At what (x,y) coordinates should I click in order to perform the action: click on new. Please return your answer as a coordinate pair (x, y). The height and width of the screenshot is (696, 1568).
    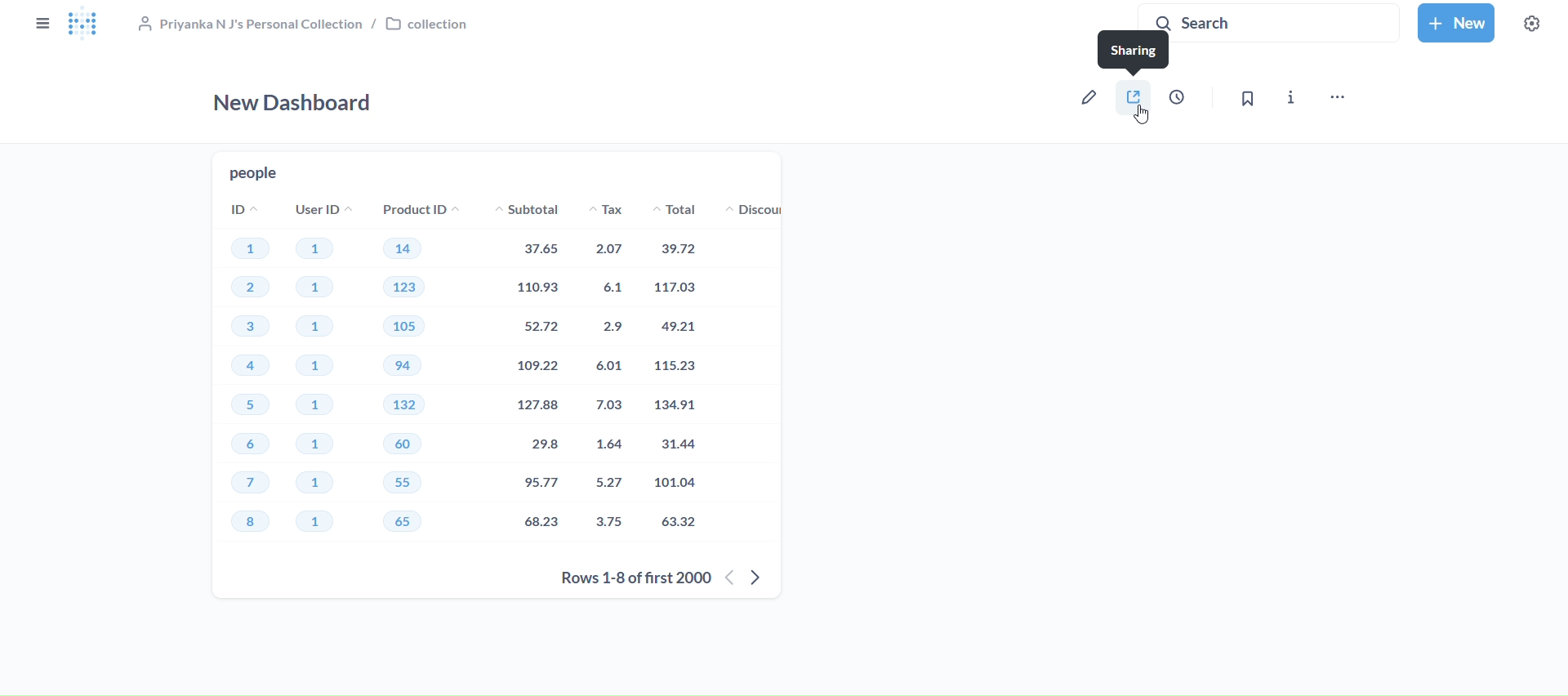
    Looking at the image, I should click on (1456, 21).